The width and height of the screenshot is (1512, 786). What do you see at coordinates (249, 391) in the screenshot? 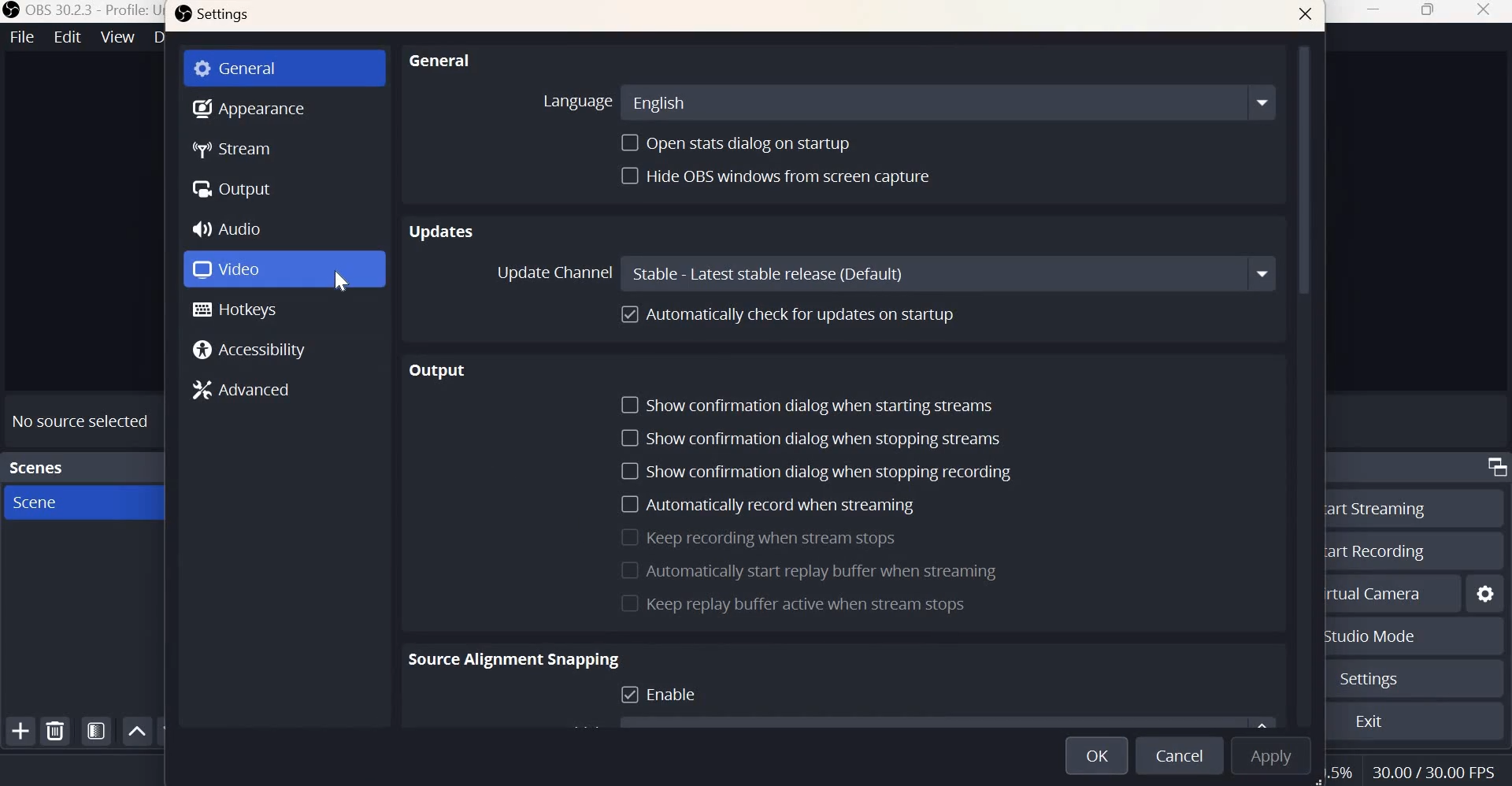
I see `Advances` at bounding box center [249, 391].